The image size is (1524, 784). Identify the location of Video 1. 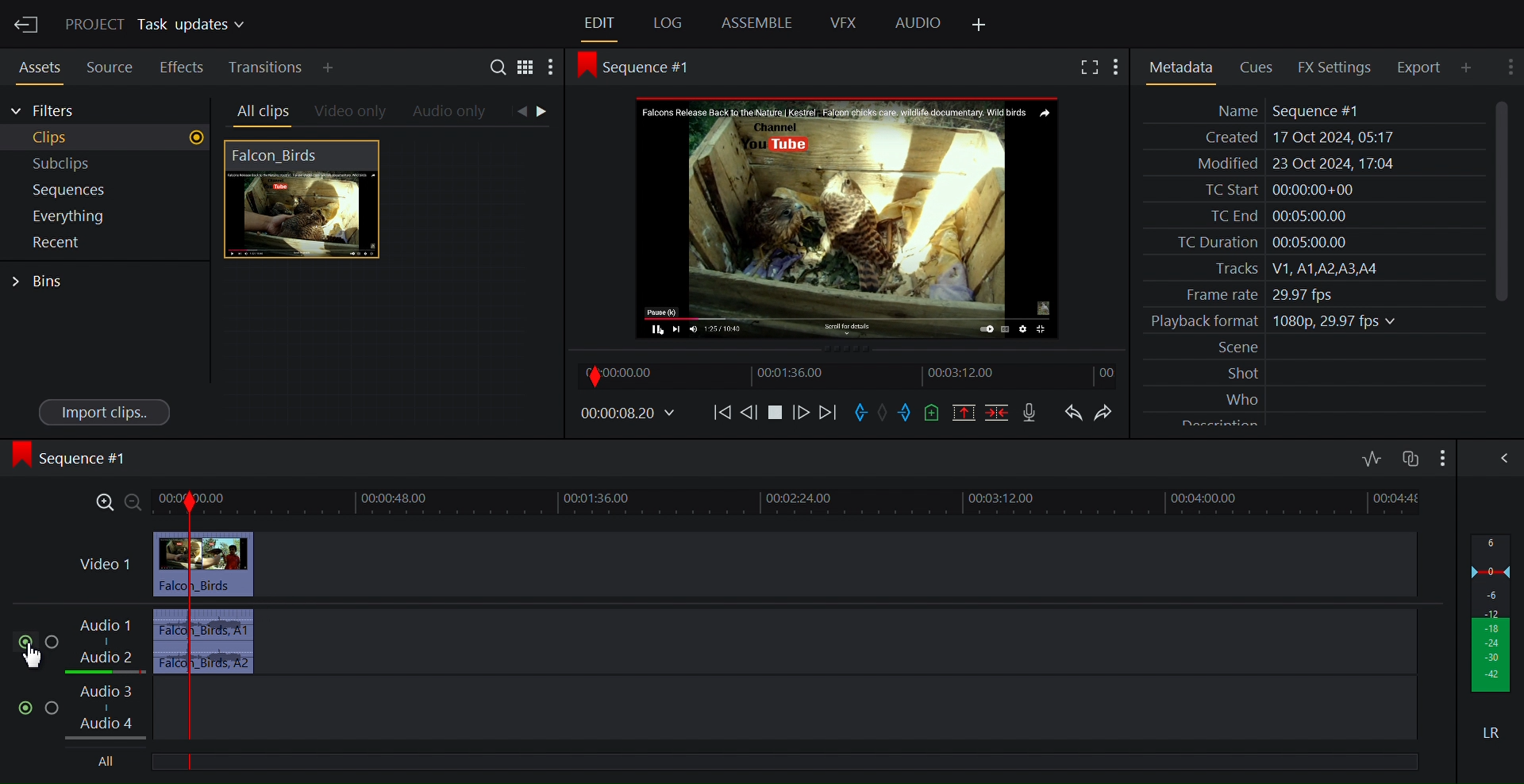
(105, 564).